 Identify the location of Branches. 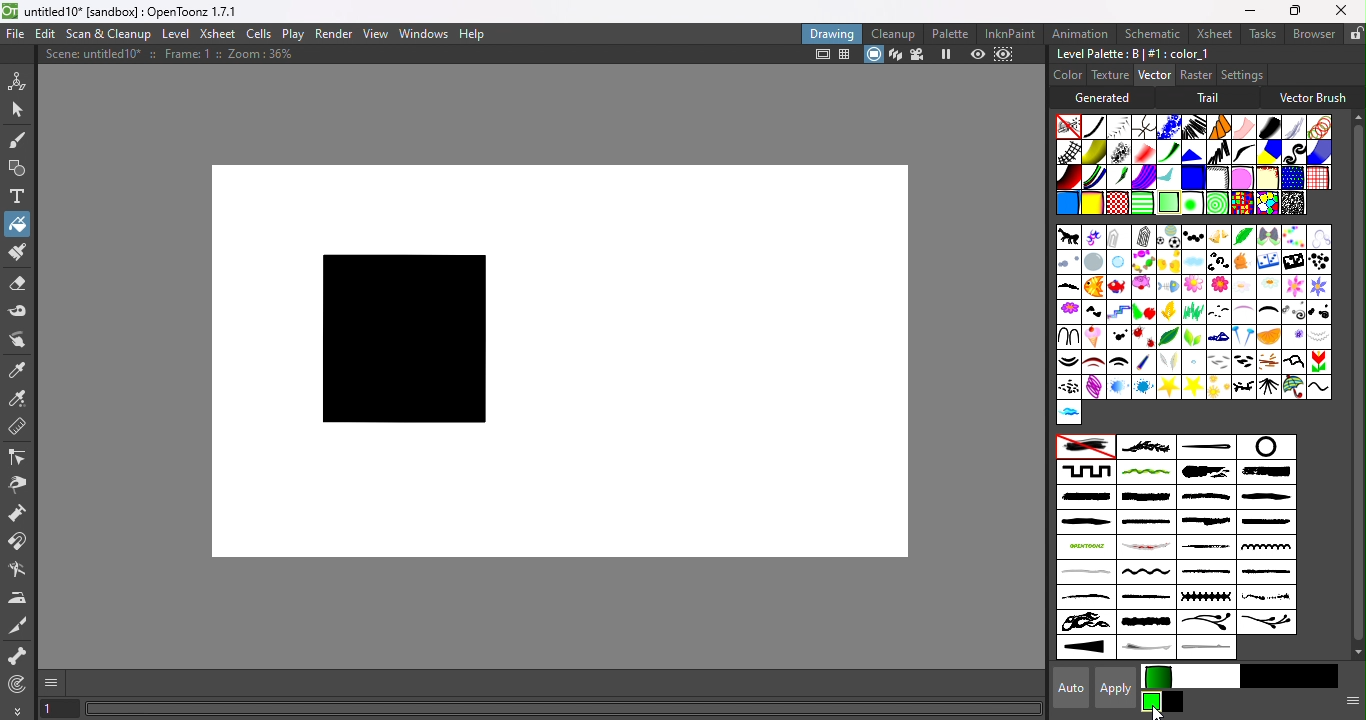
(1146, 446).